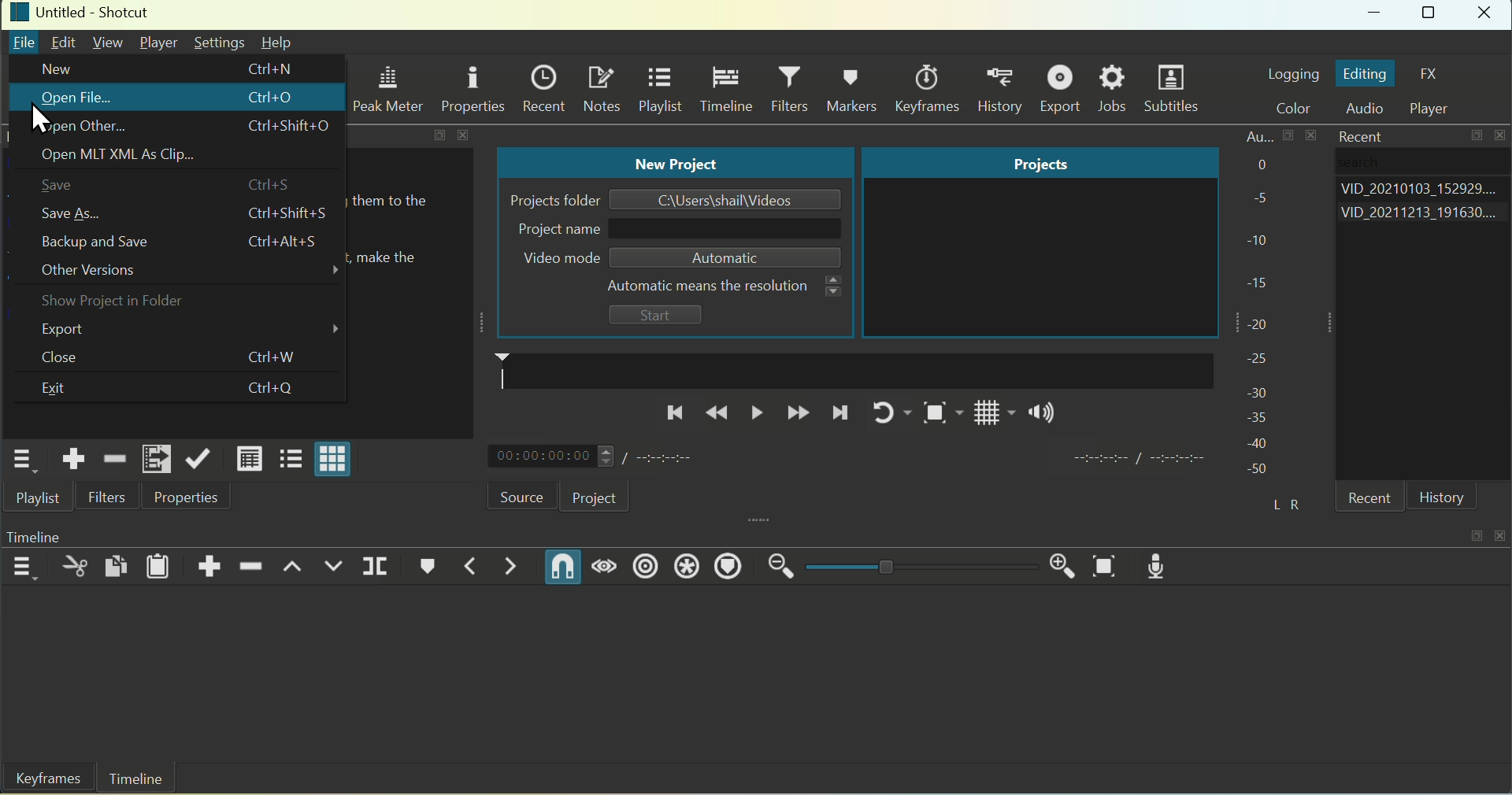  Describe the element at coordinates (69, 186) in the screenshot. I see `Save` at that location.